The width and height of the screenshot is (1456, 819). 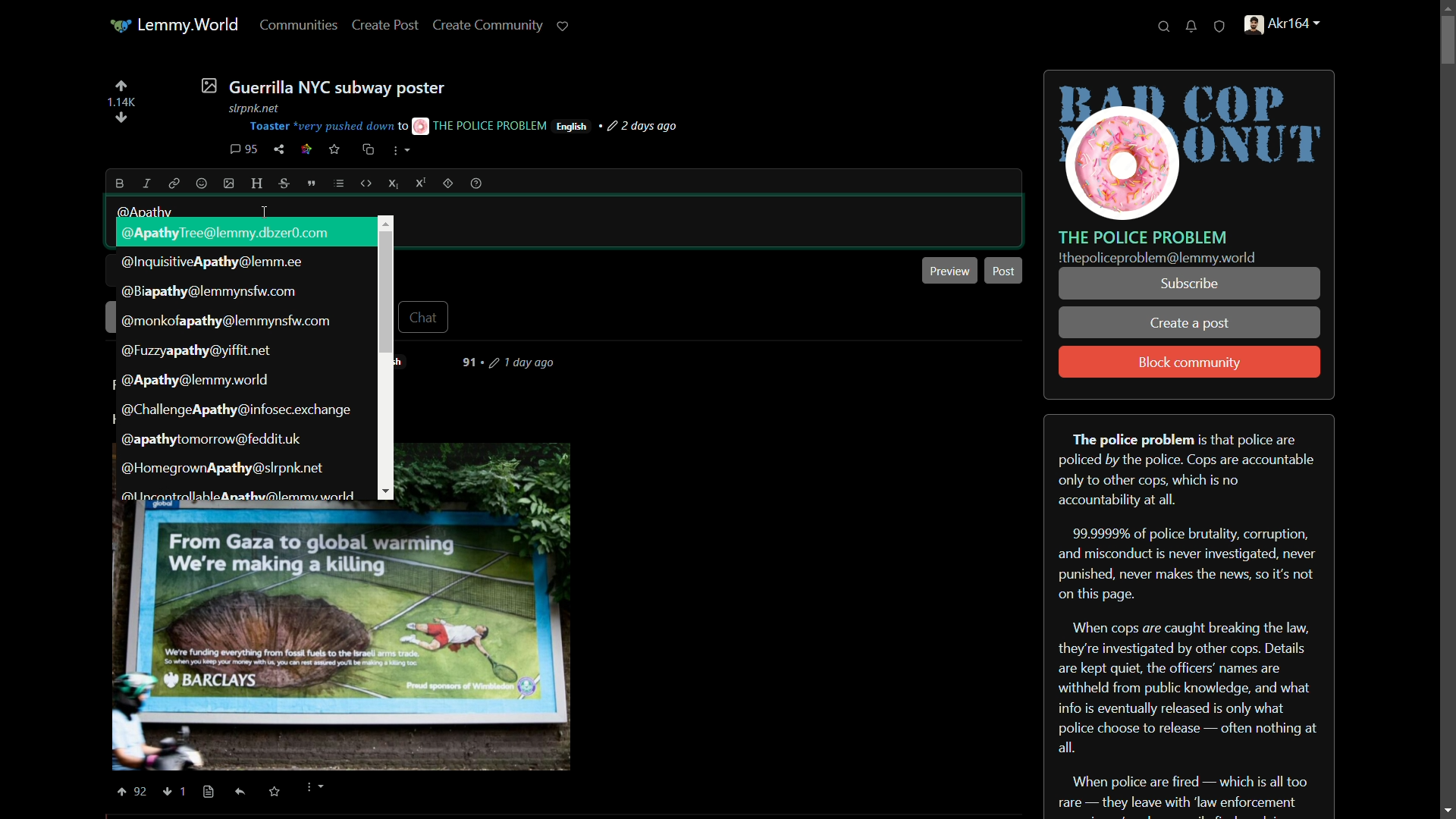 I want to click on server name, so click(x=1144, y=237).